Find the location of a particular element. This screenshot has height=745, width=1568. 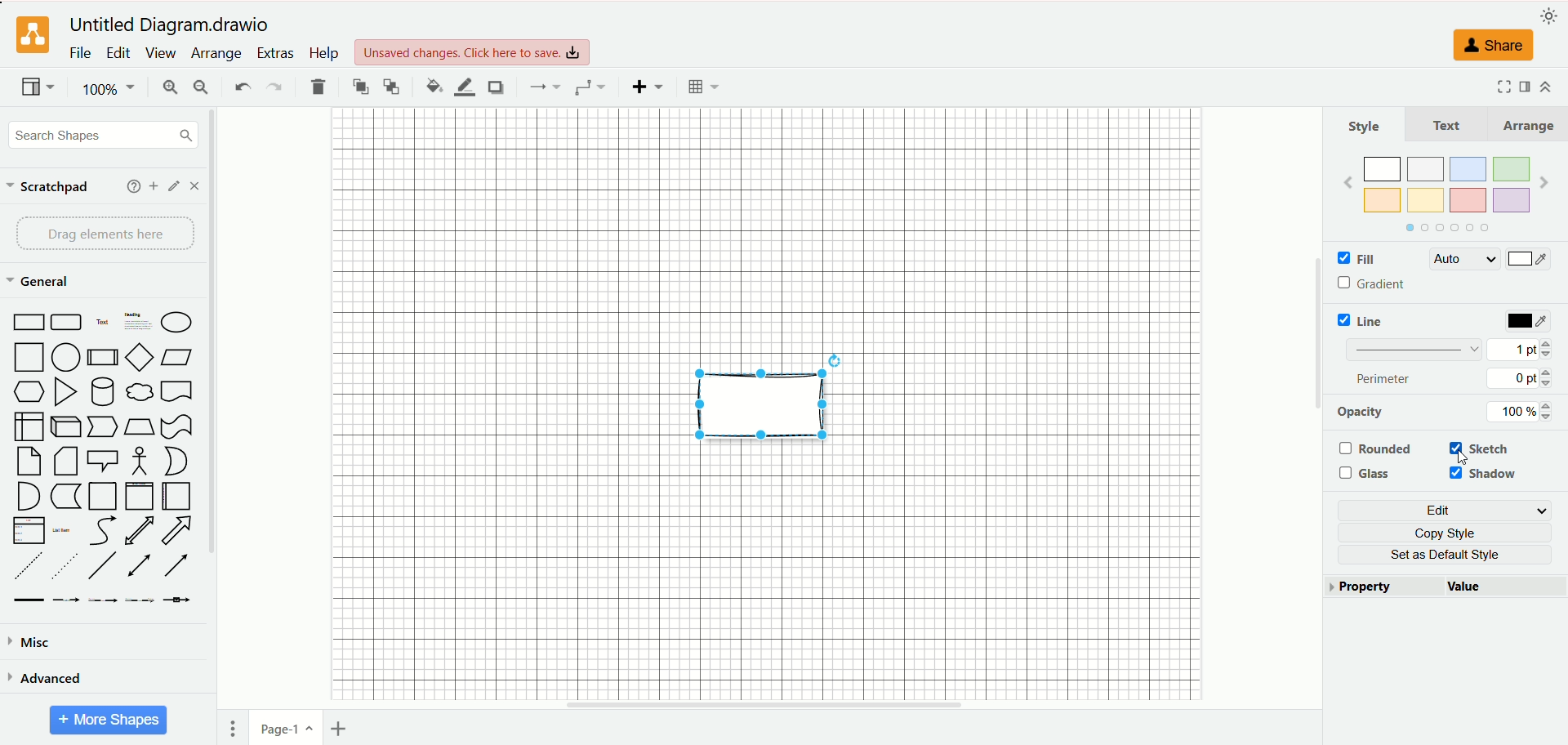

pattern is located at coordinates (1414, 348).